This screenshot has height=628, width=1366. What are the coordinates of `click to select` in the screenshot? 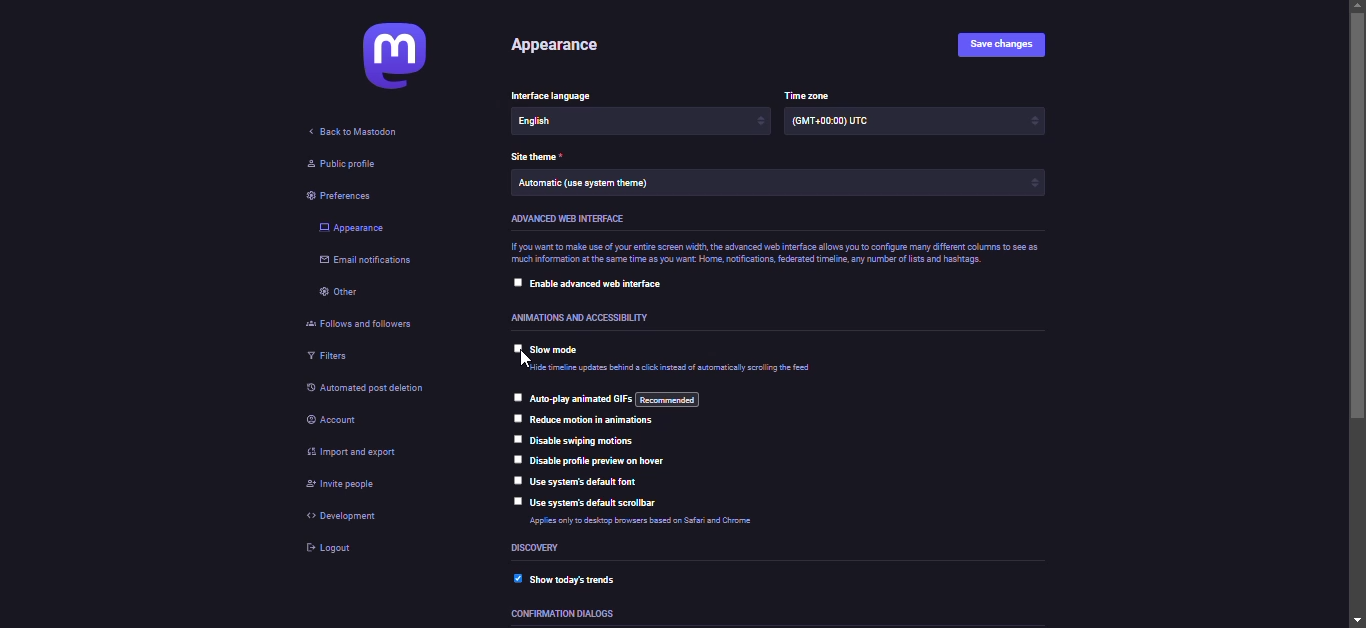 It's located at (515, 349).